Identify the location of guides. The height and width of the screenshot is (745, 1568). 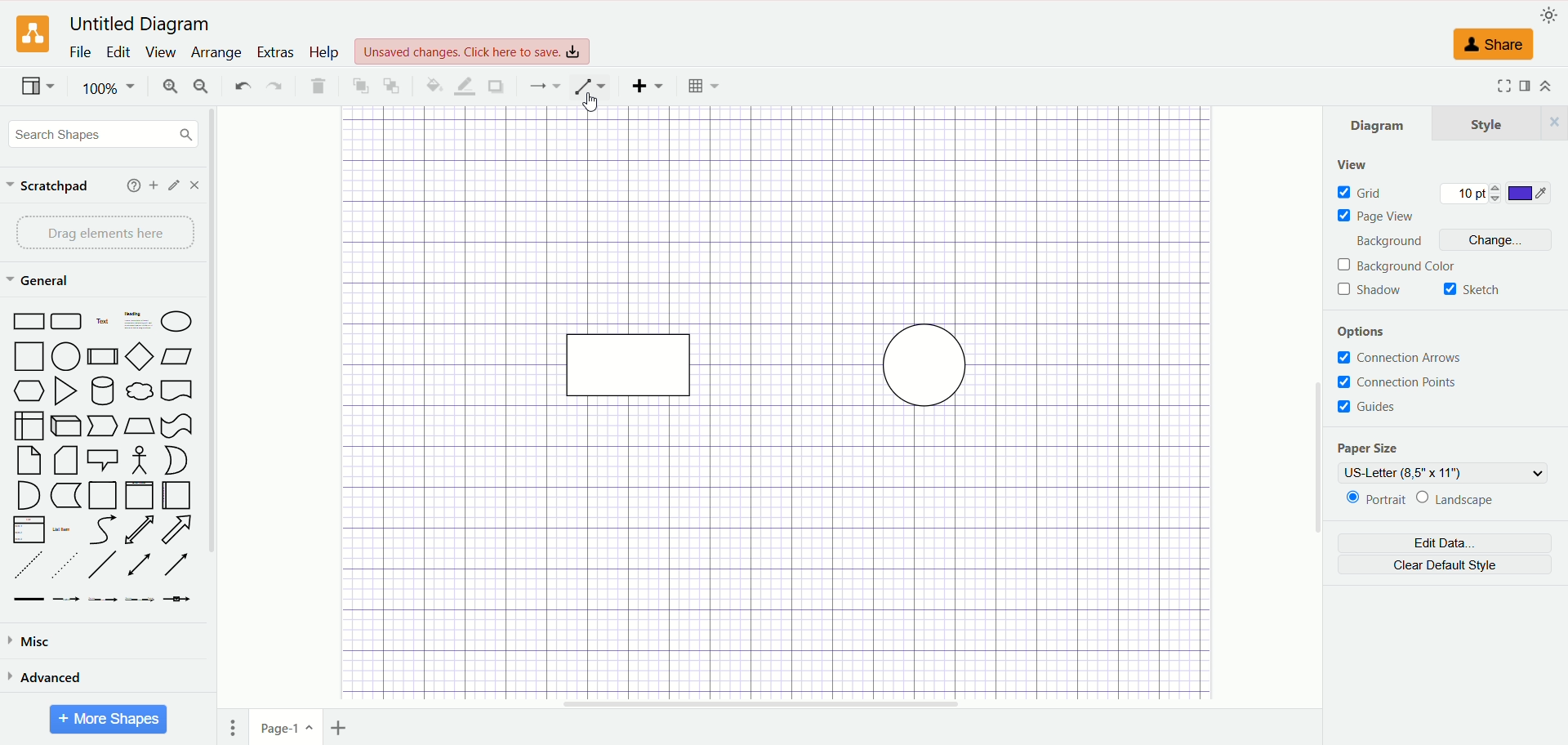
(1366, 407).